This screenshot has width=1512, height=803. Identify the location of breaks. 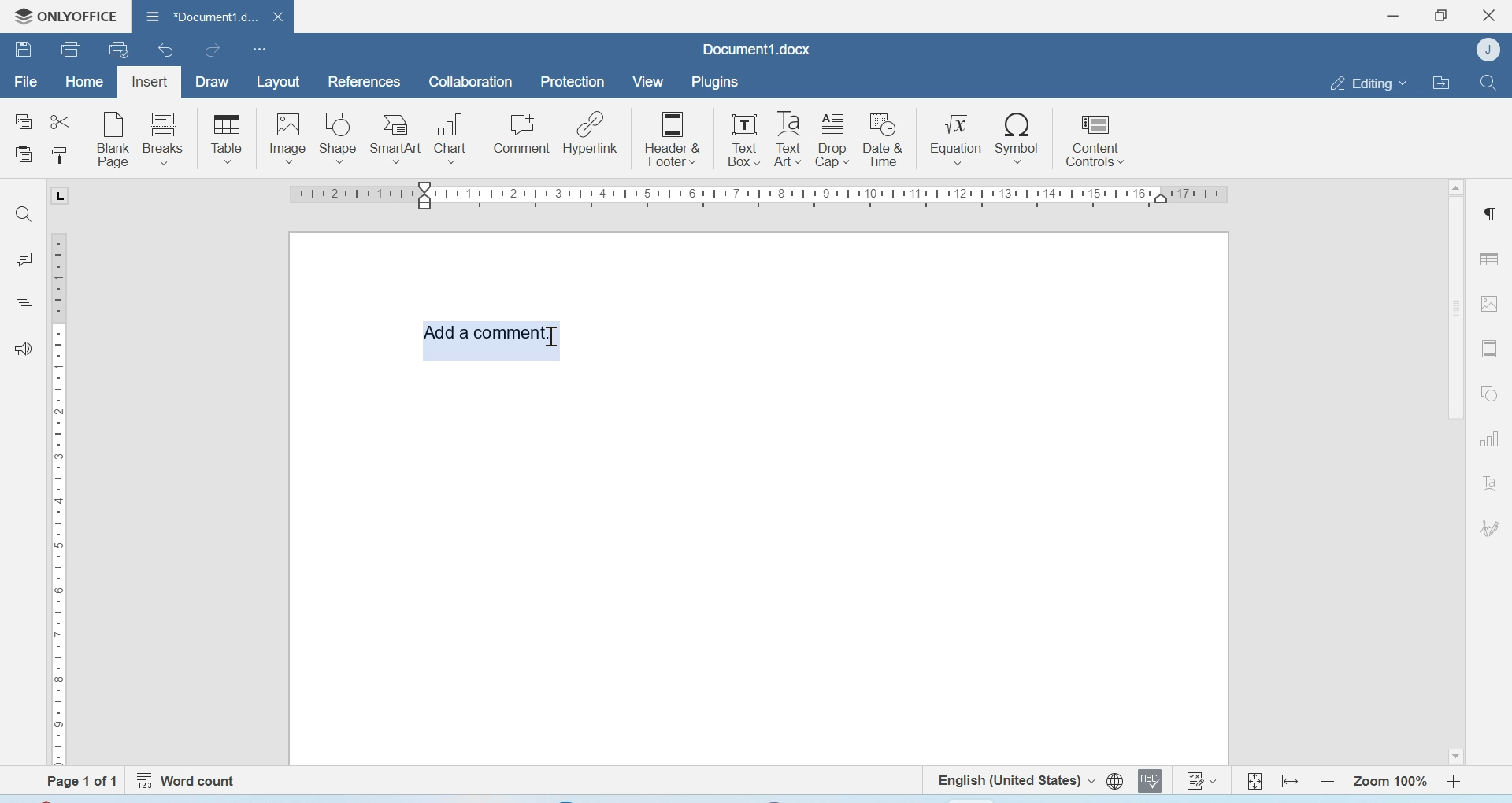
(164, 137).